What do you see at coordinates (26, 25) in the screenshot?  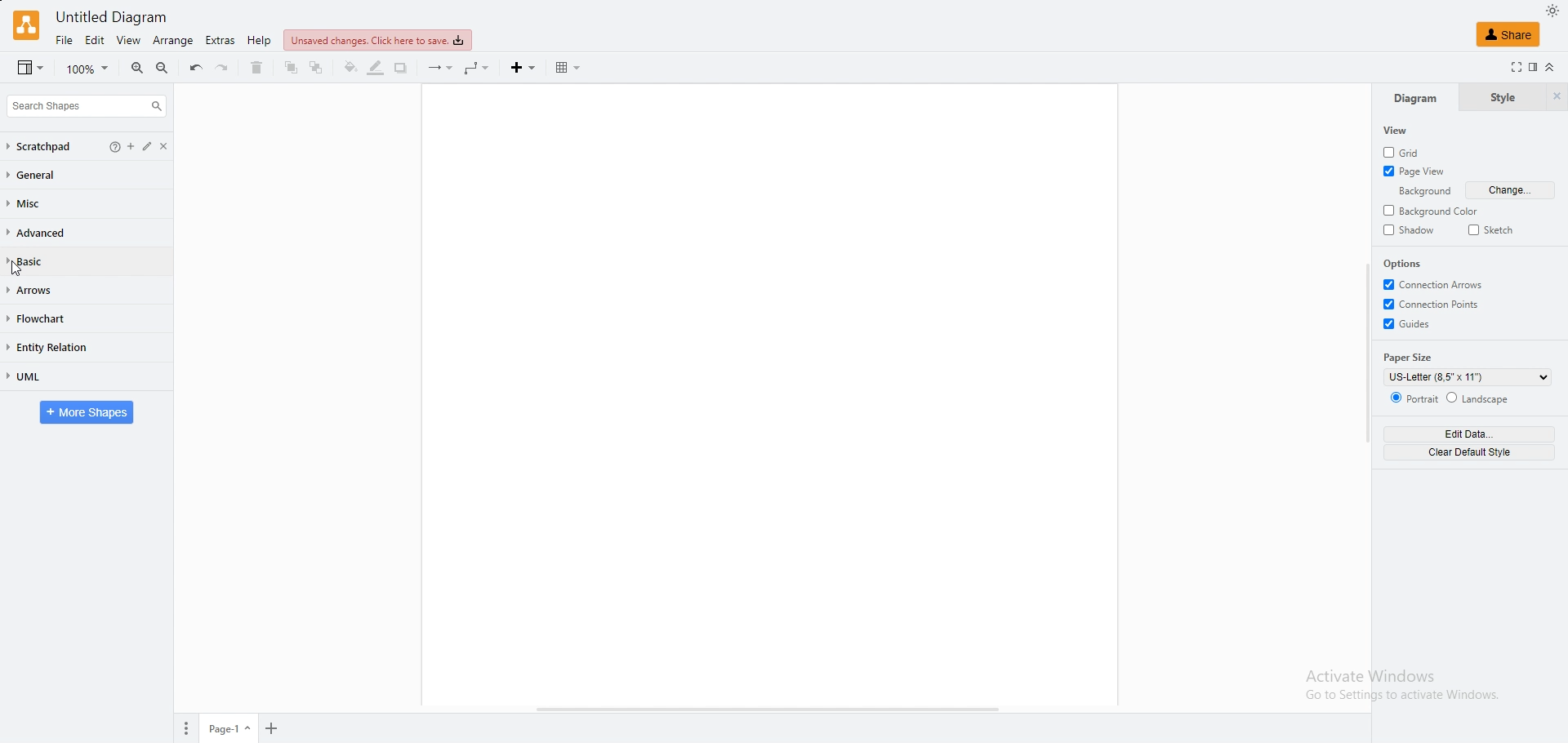 I see `draw.io logo` at bounding box center [26, 25].